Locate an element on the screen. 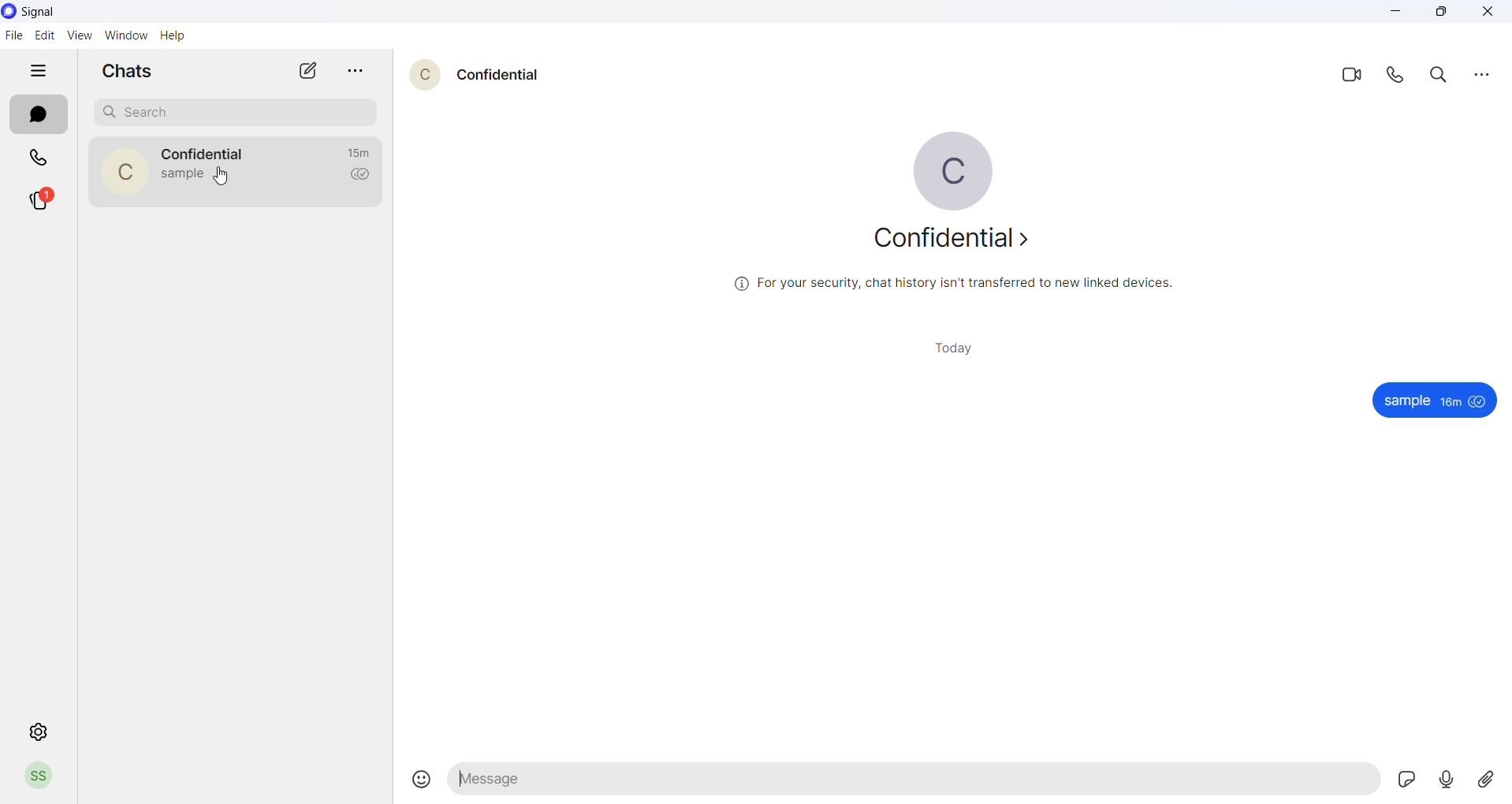 The width and height of the screenshot is (1512, 804). call is located at coordinates (32, 155).